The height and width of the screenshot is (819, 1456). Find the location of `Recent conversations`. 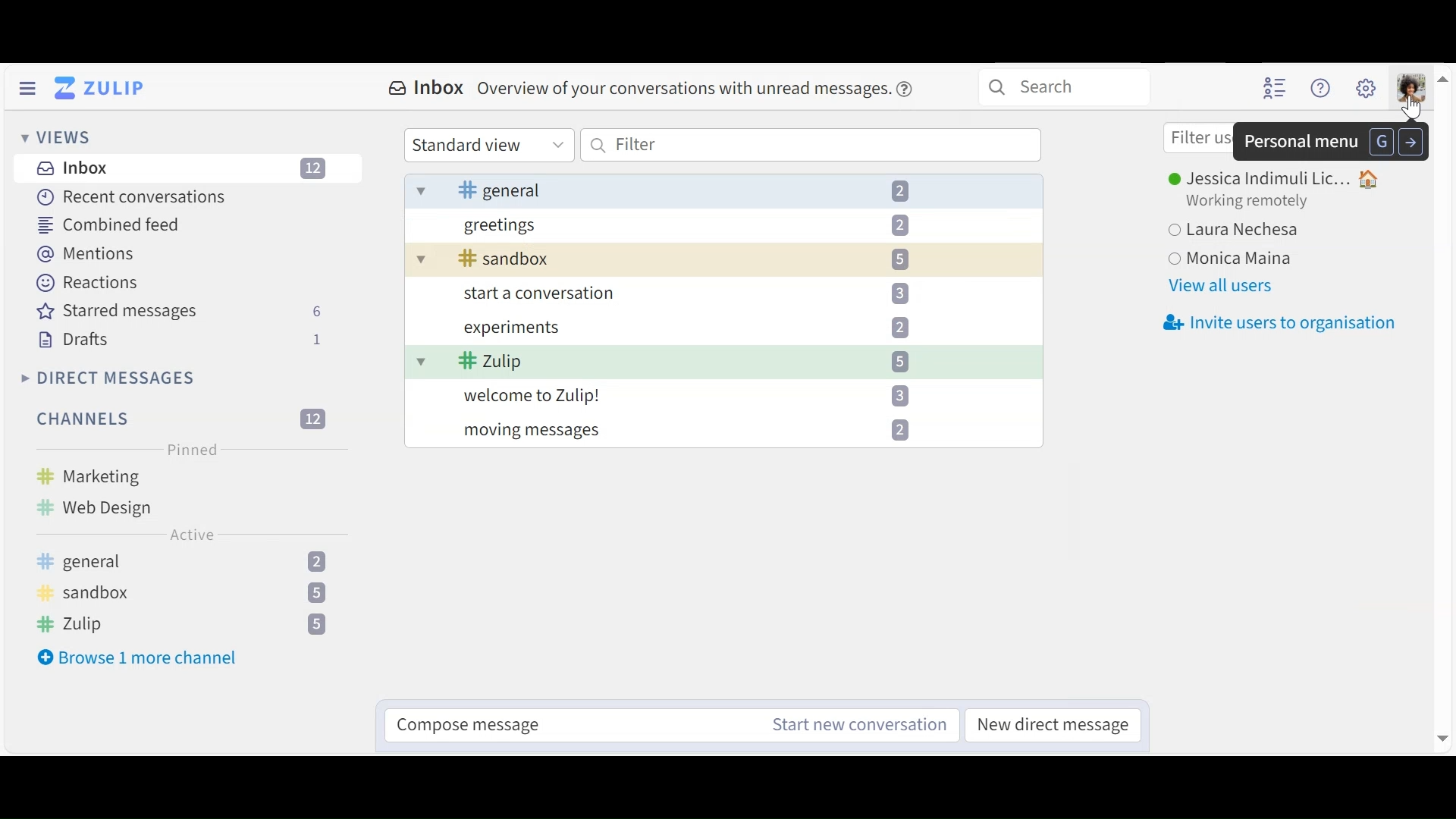

Recent conversations is located at coordinates (127, 196).